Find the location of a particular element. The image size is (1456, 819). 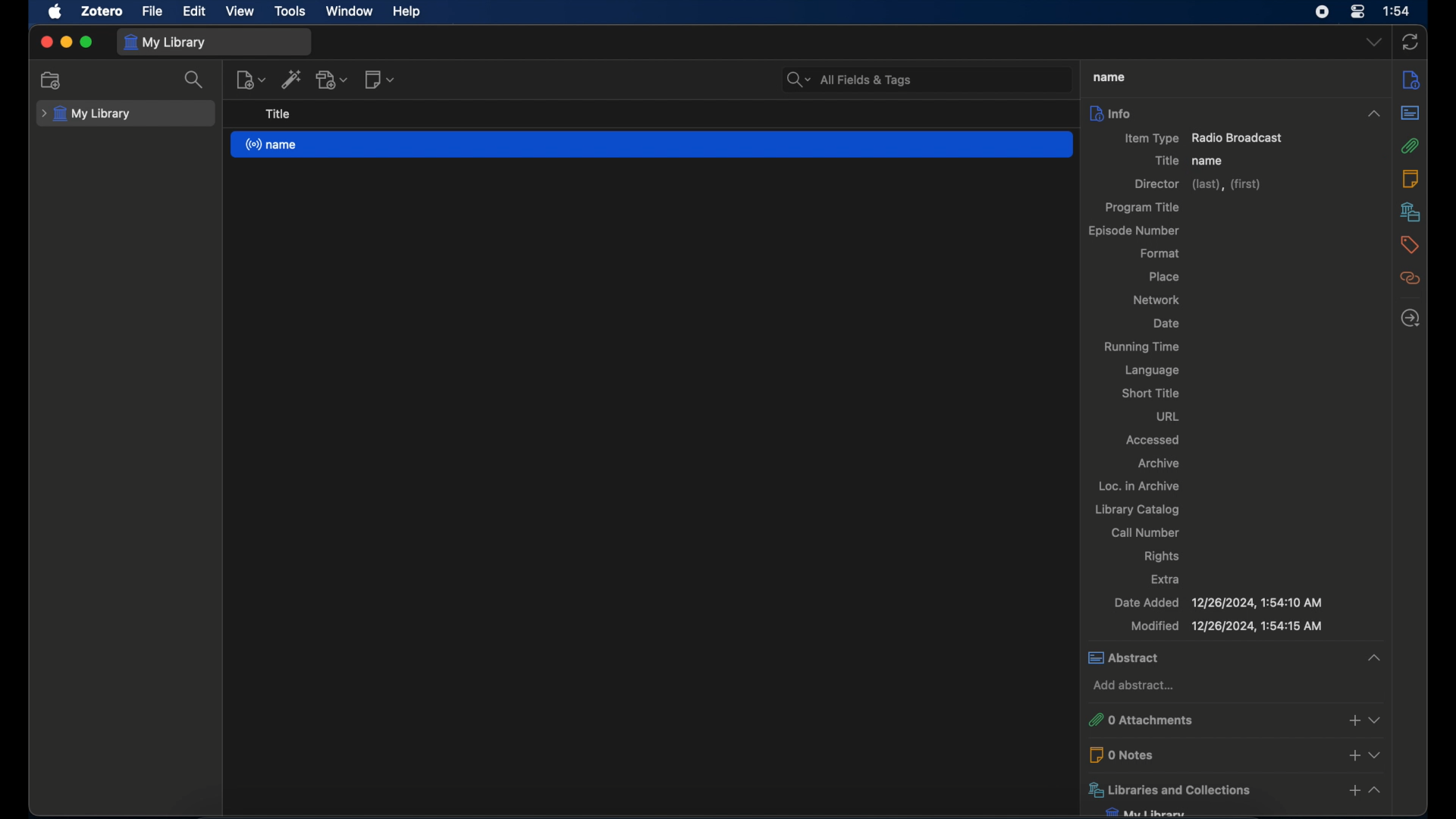

view is located at coordinates (241, 11).